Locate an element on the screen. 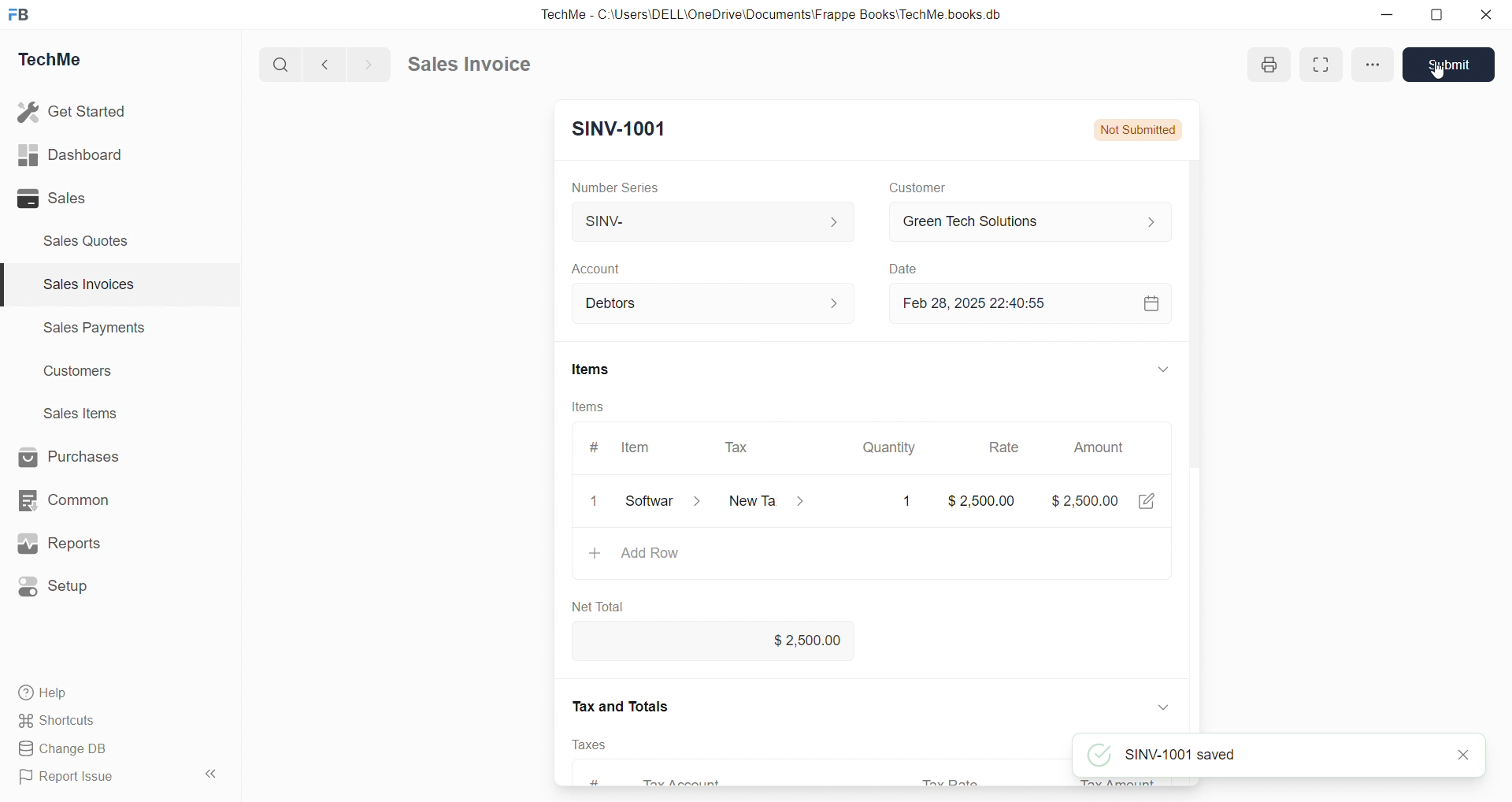  Sales items is located at coordinates (82, 413).